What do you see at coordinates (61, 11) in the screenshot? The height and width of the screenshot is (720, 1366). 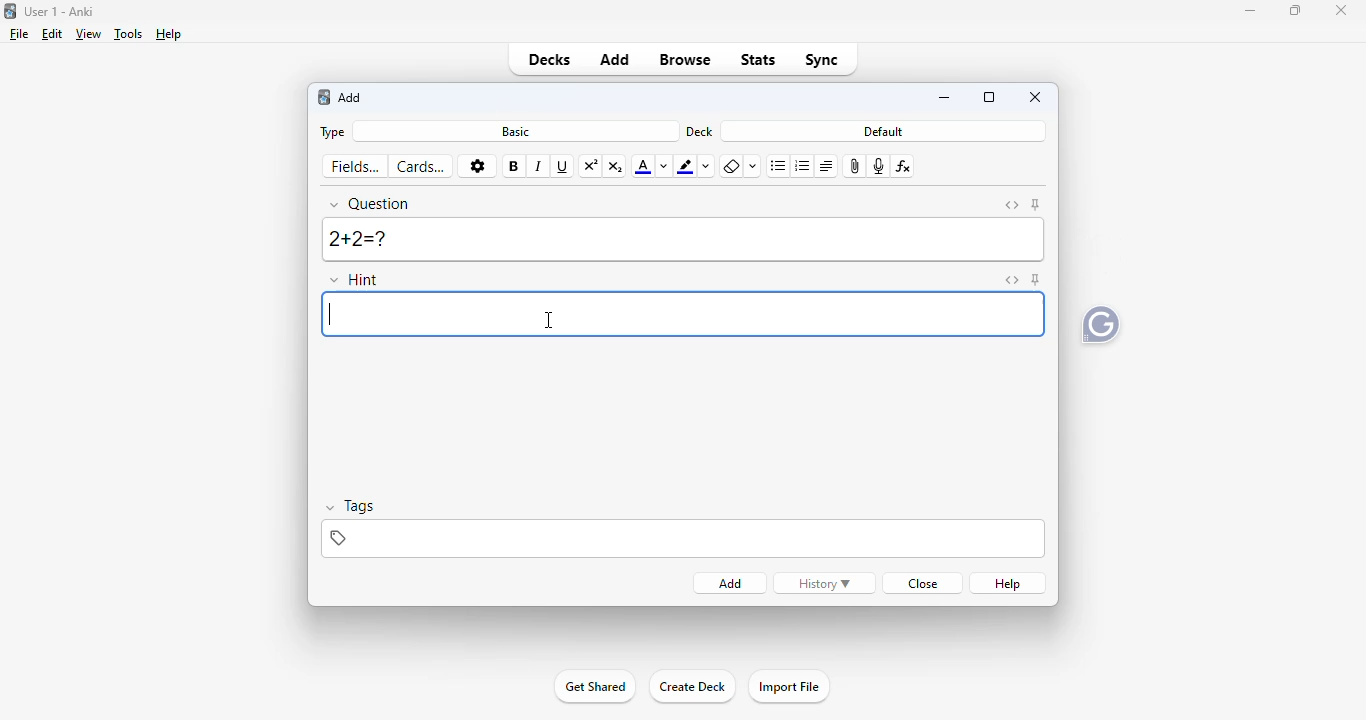 I see `User 1 - Anki` at bounding box center [61, 11].